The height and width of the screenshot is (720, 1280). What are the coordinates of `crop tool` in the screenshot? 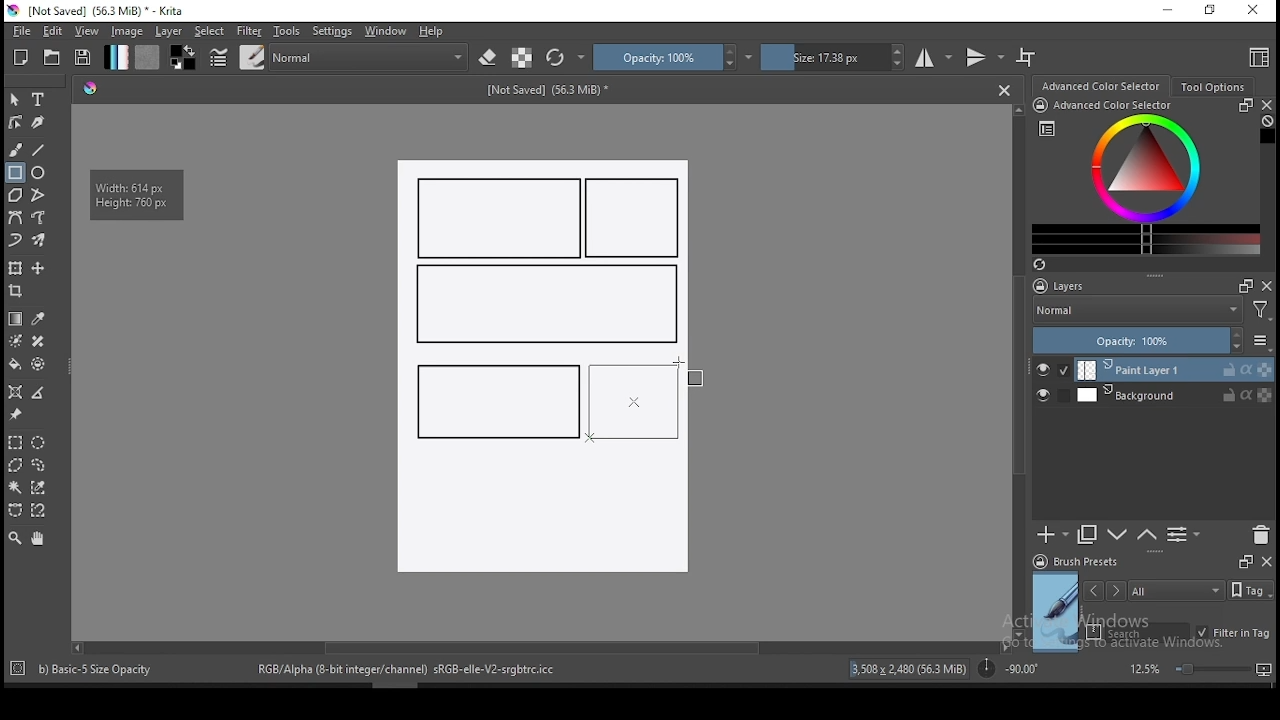 It's located at (18, 293).